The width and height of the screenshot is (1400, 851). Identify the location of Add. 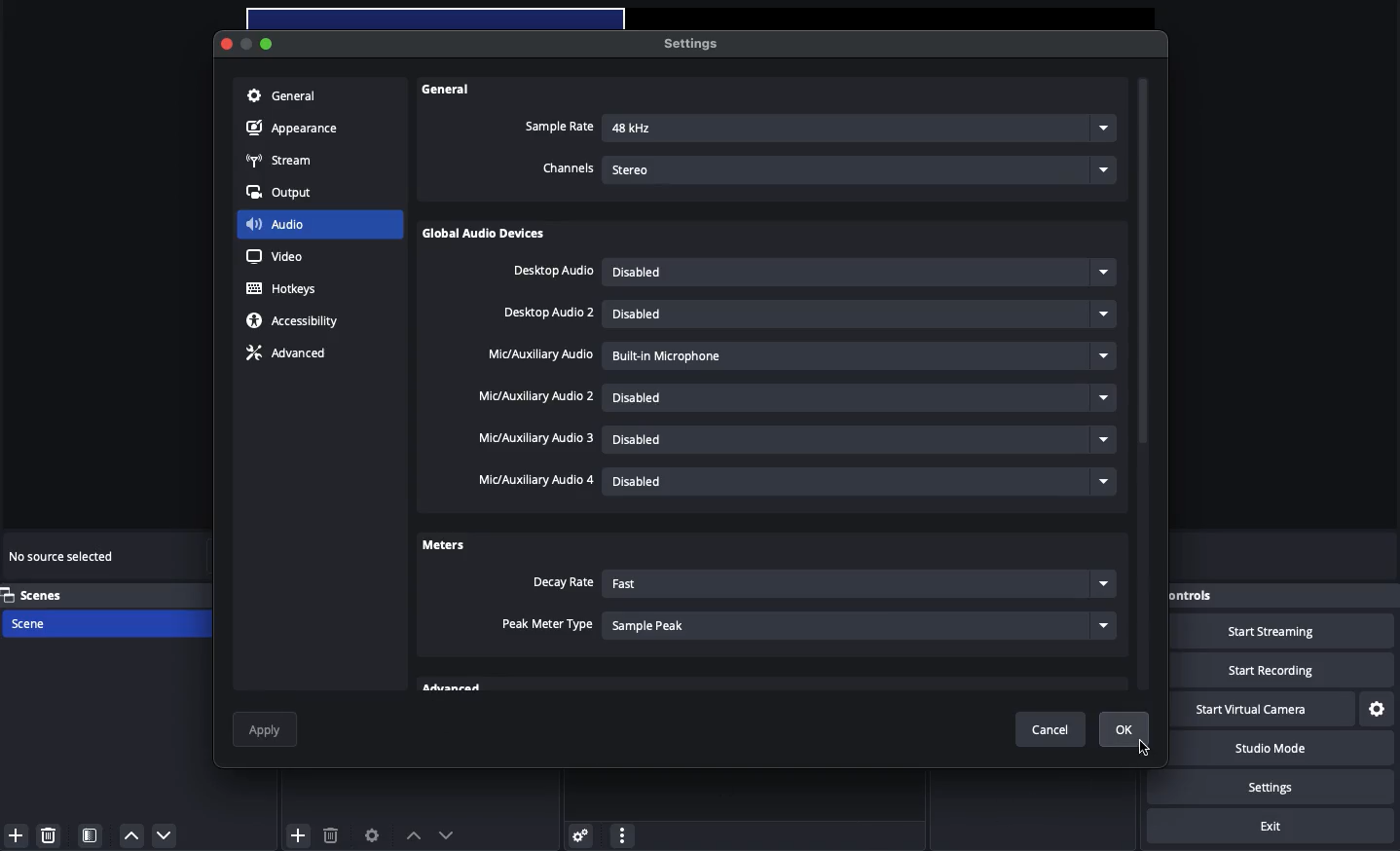
(299, 833).